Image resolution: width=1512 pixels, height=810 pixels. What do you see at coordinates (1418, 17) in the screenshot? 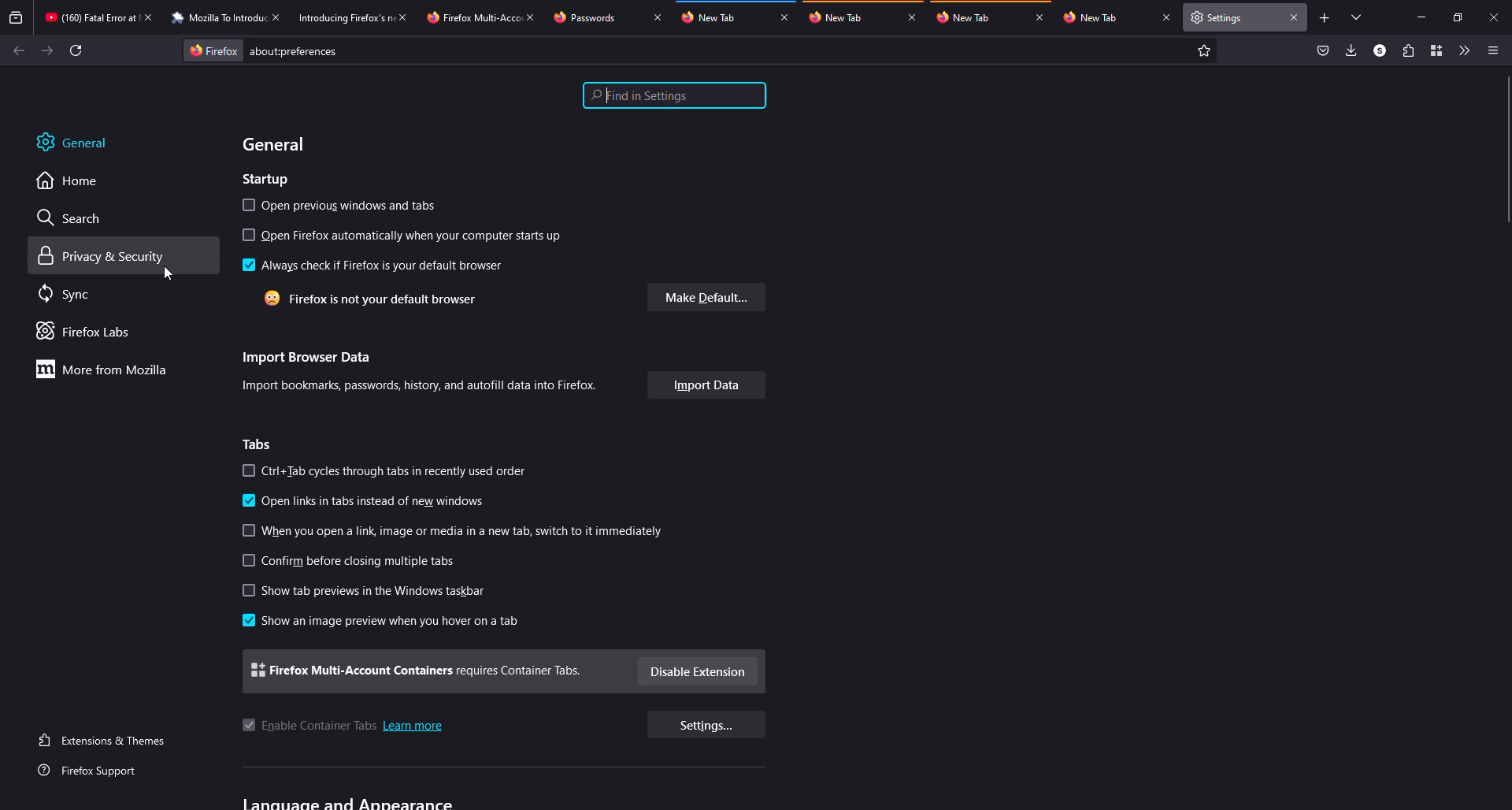
I see `minimize` at bounding box center [1418, 17].